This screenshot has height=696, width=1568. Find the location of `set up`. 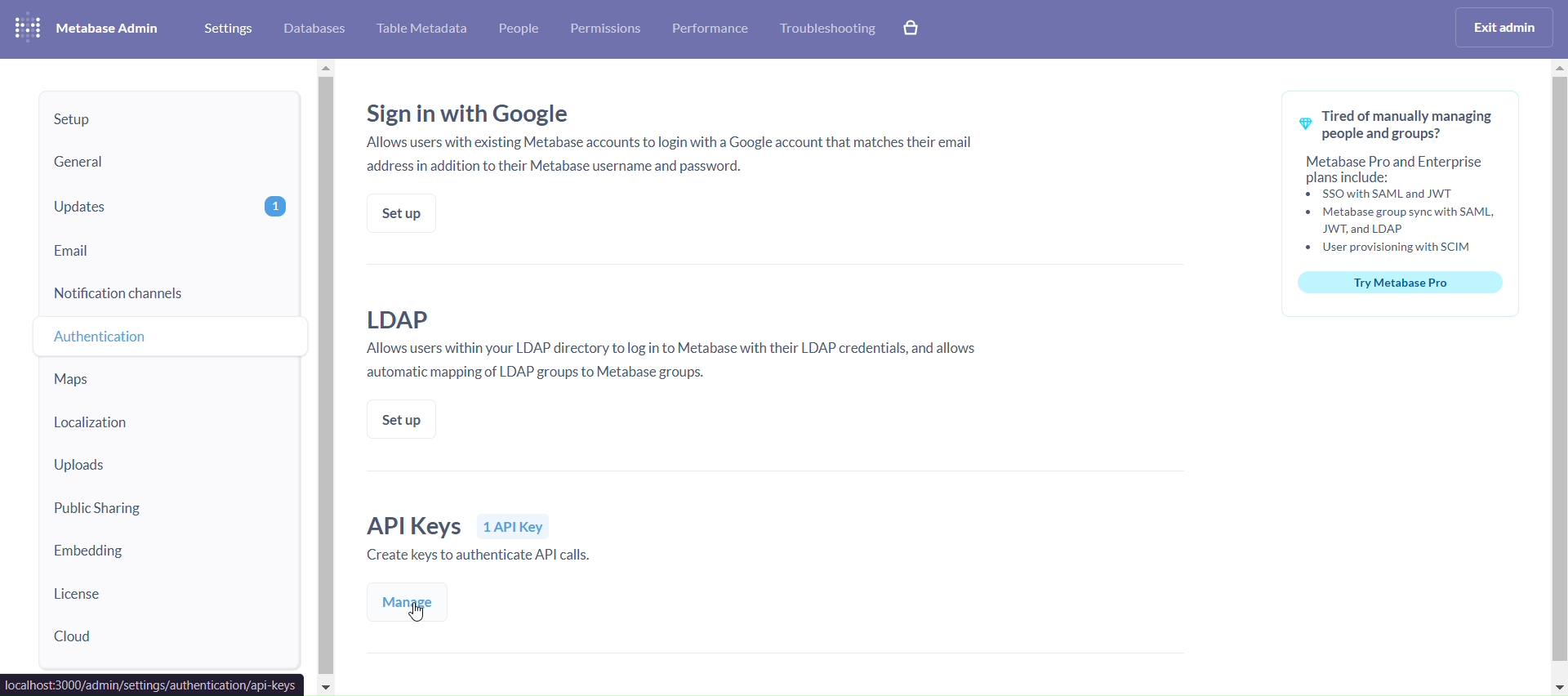

set up is located at coordinates (403, 419).